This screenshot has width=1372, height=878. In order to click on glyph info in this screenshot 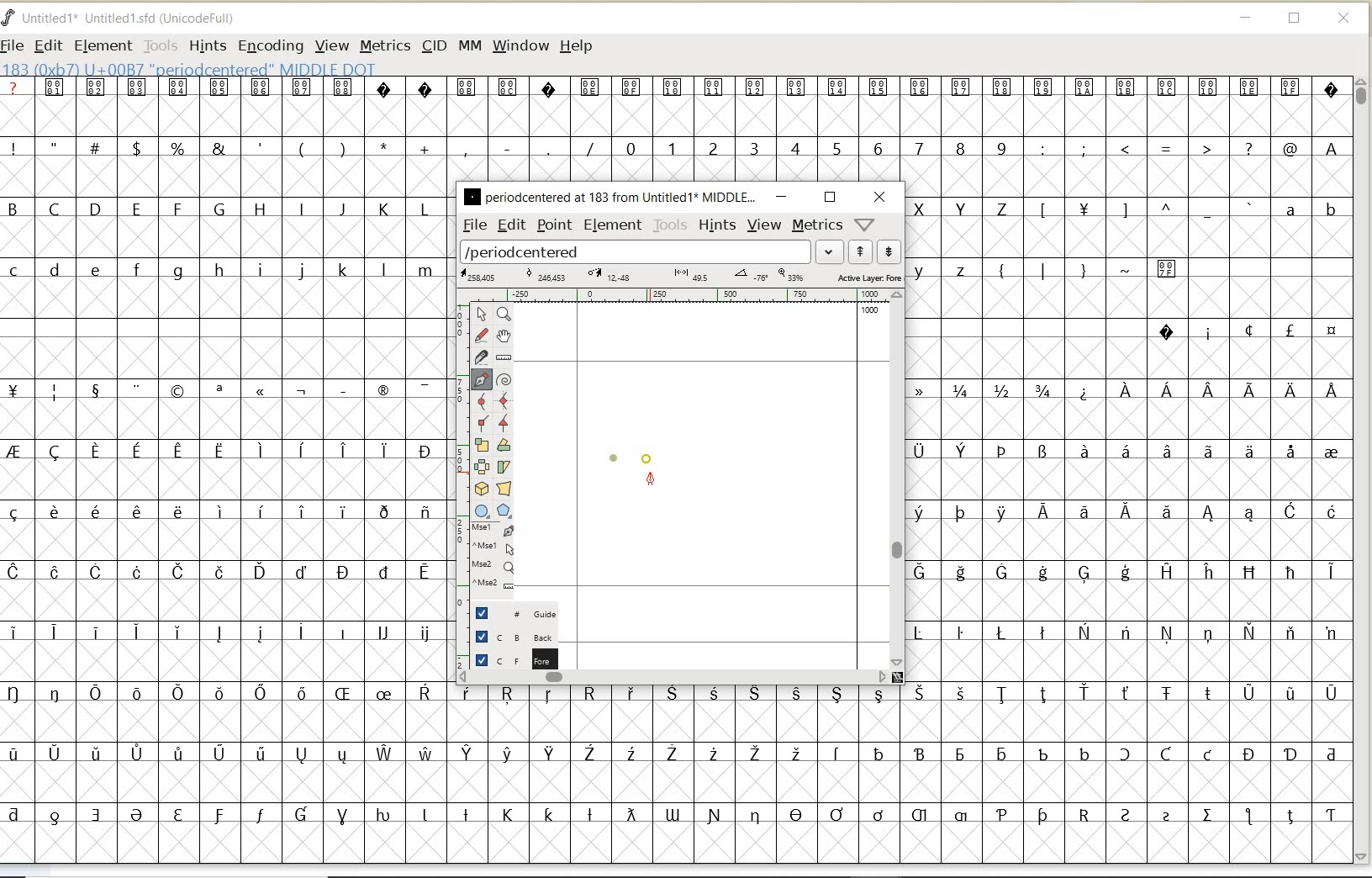, I will do `click(191, 68)`.